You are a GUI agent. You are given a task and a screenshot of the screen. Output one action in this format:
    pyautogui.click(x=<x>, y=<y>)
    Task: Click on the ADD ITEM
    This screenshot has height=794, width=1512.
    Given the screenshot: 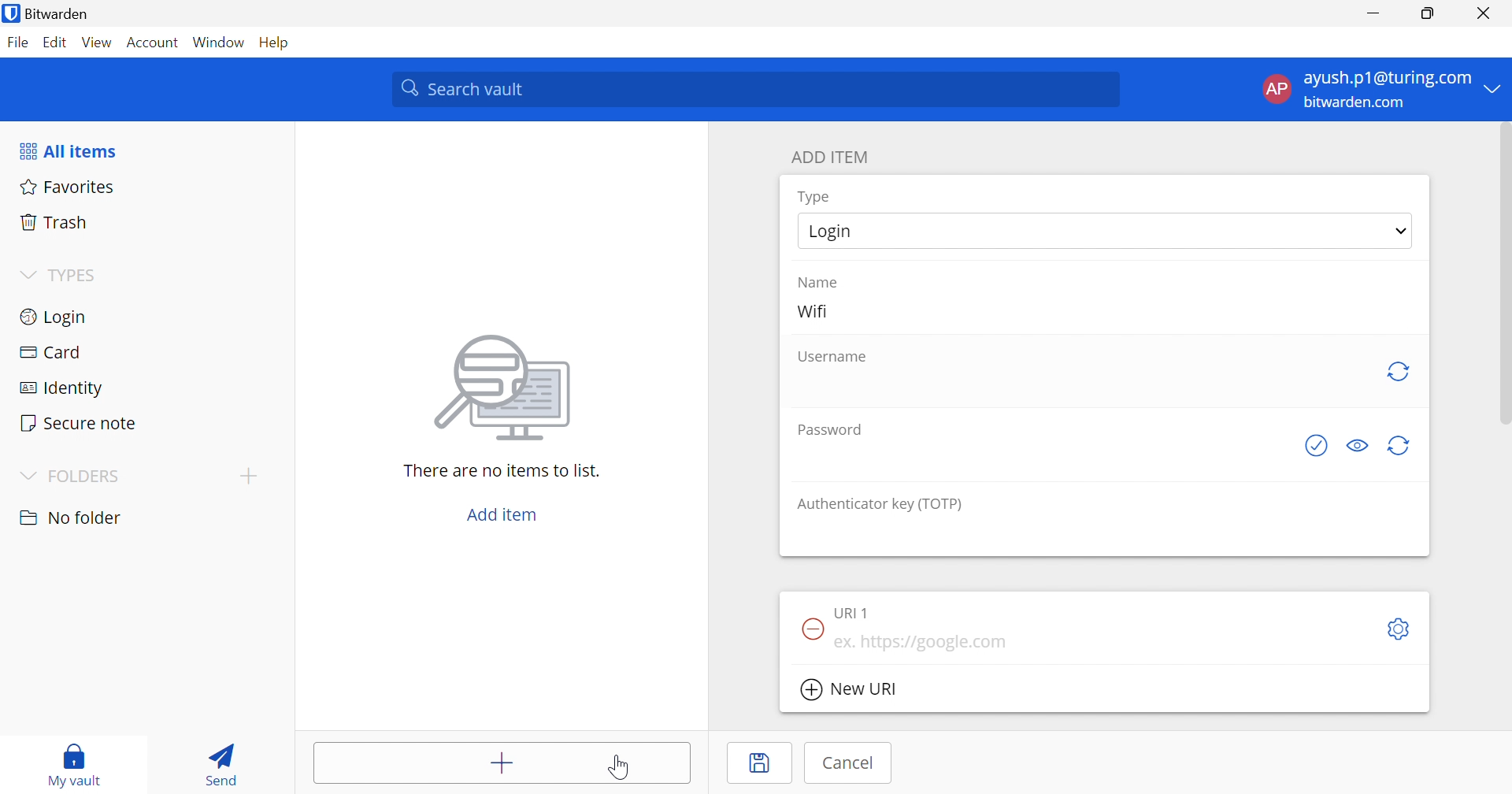 What is the action you would take?
    pyautogui.click(x=832, y=157)
    